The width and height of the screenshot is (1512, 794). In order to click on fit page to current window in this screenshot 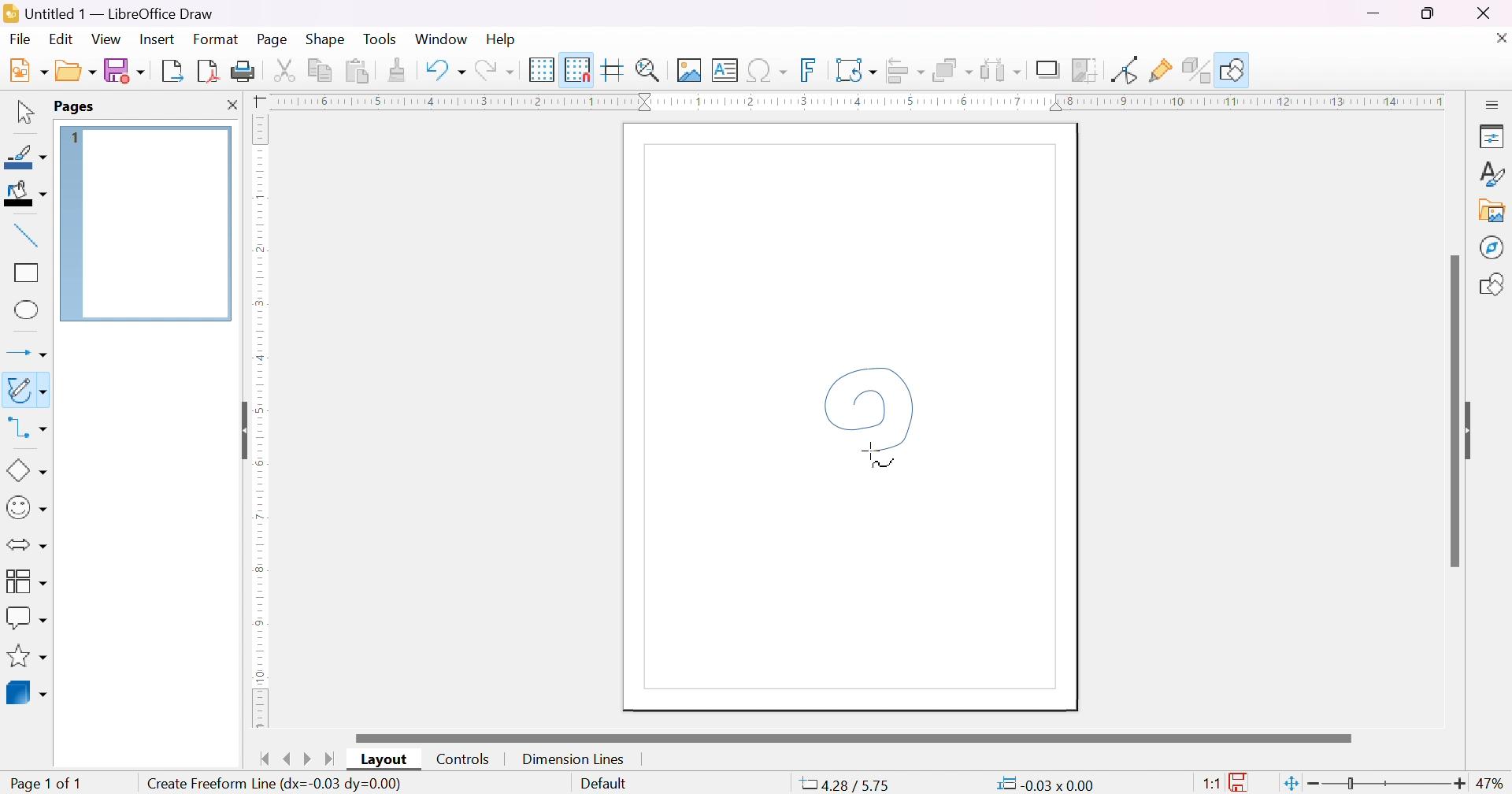, I will do `click(1292, 783)`.